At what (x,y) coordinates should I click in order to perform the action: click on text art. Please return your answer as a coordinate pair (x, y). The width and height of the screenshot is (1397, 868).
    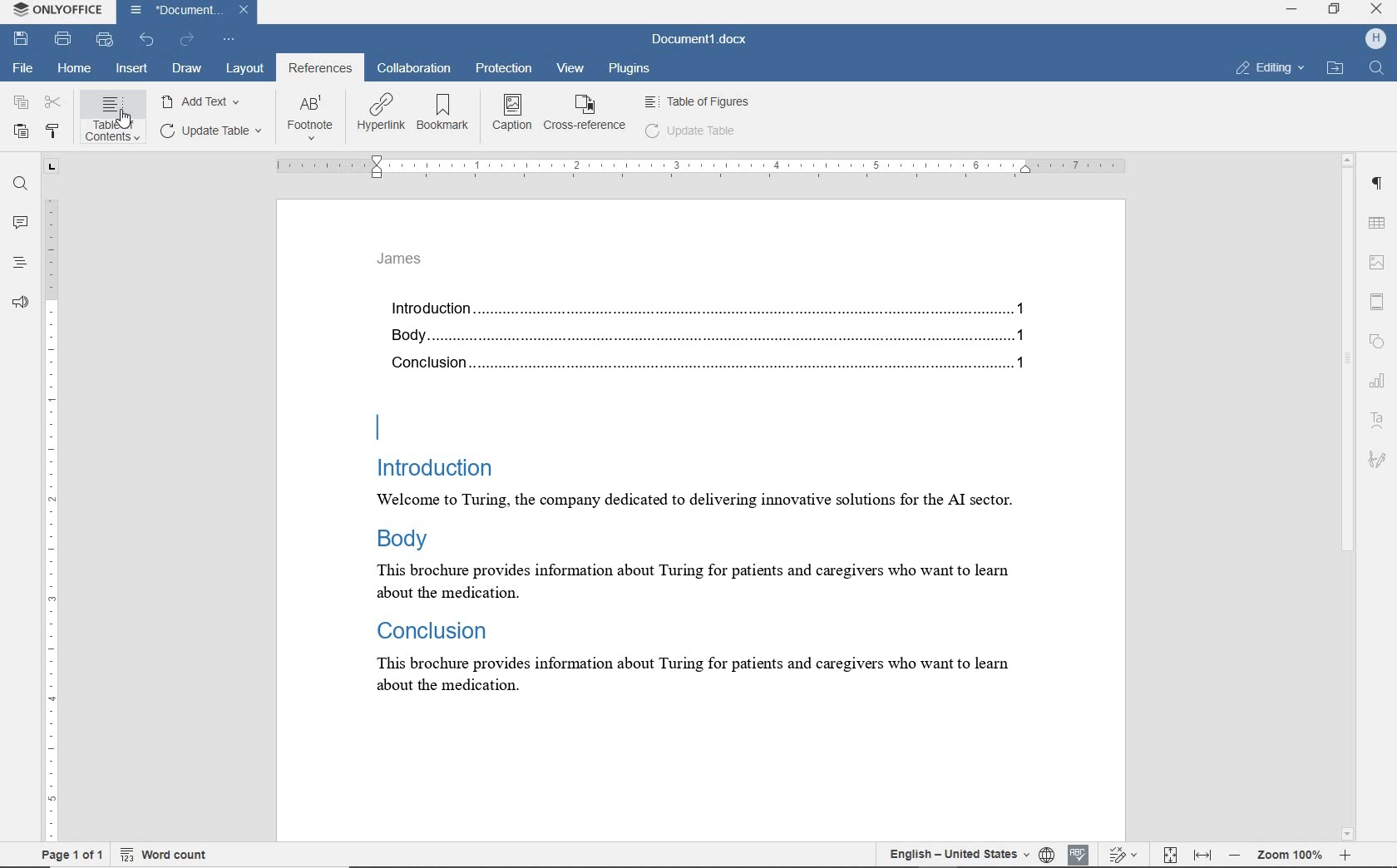
    Looking at the image, I should click on (1378, 421).